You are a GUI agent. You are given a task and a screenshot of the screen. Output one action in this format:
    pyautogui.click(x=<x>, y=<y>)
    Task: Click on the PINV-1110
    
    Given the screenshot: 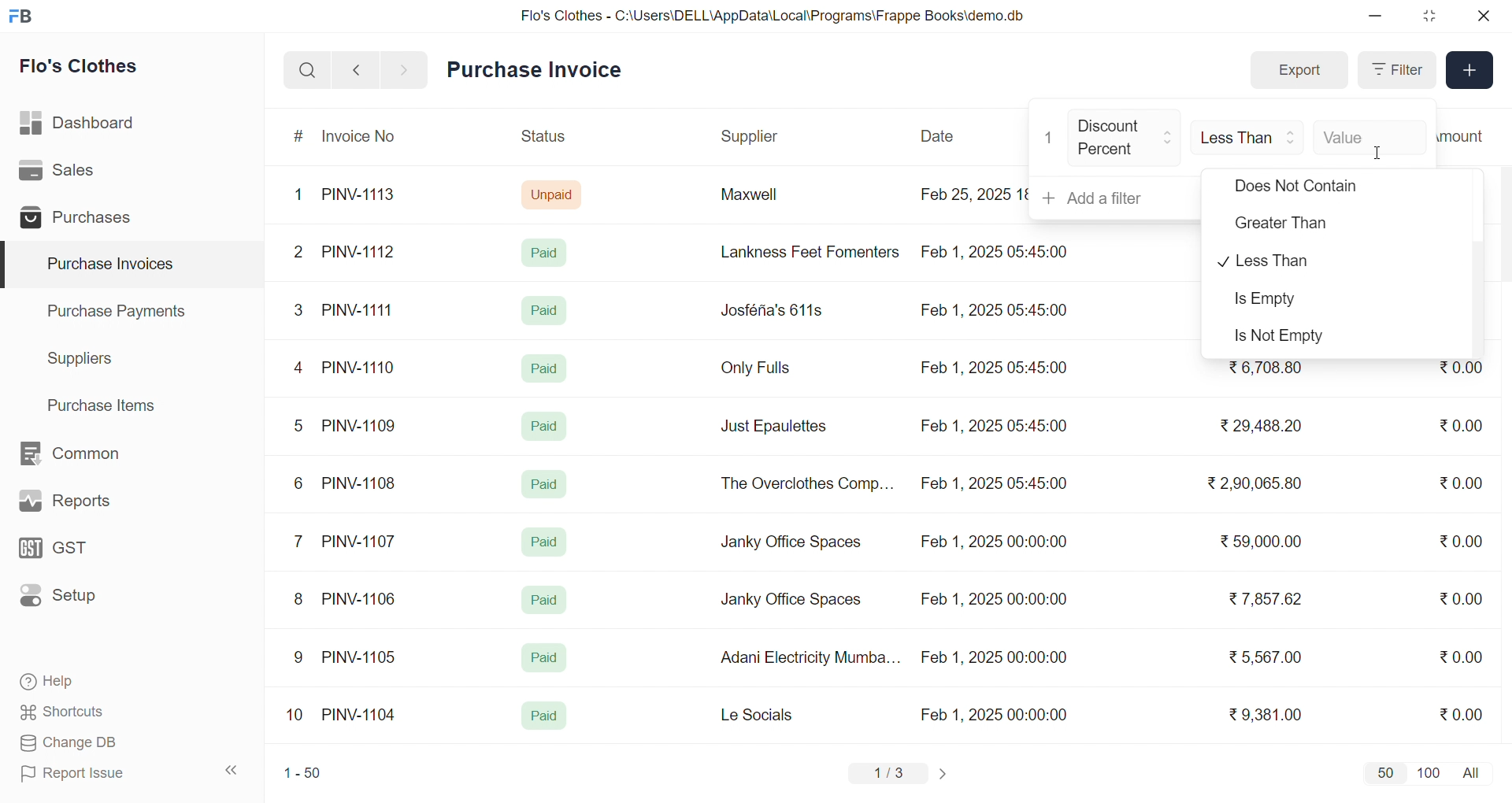 What is the action you would take?
    pyautogui.click(x=360, y=367)
    